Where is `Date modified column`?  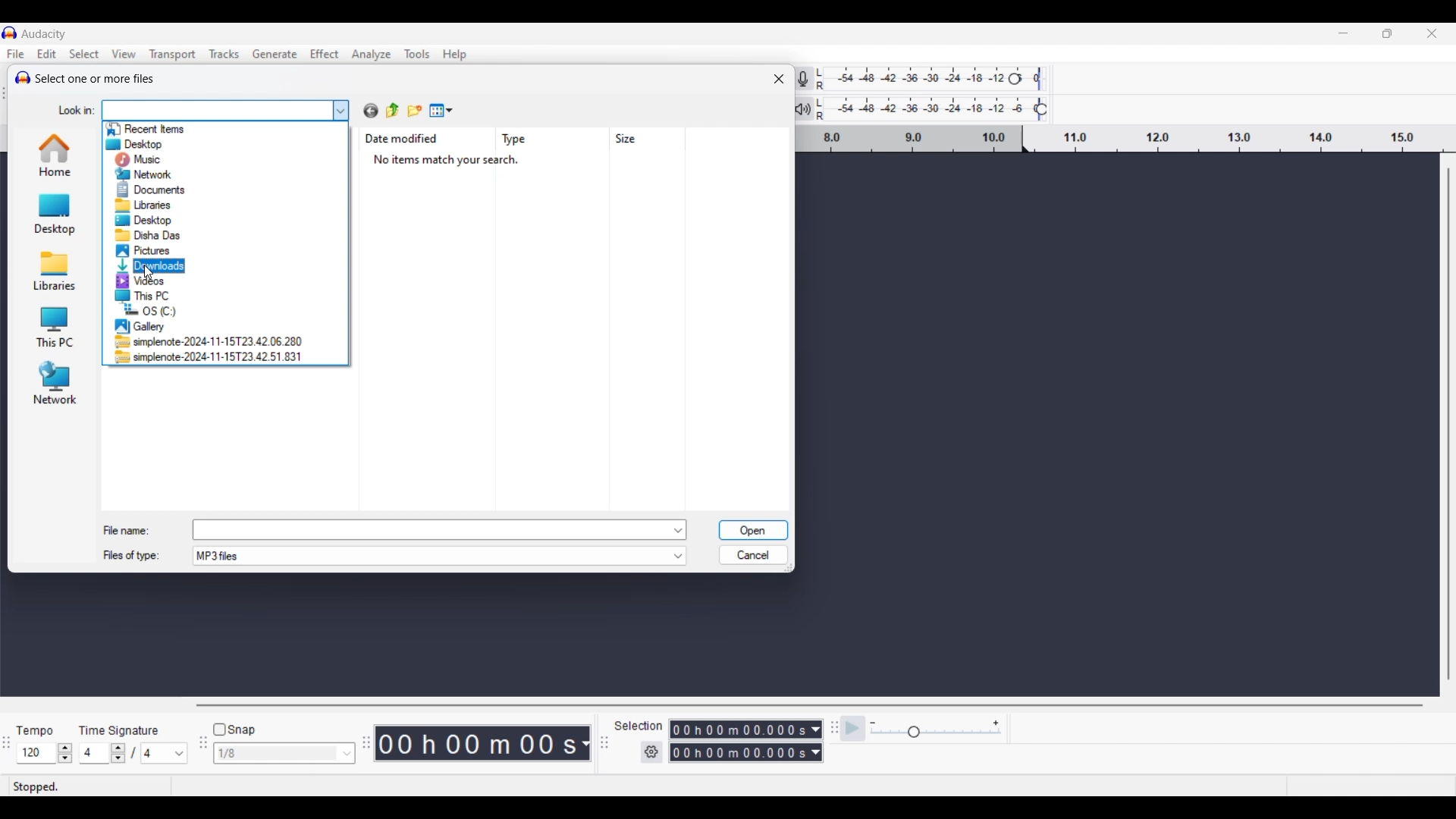 Date modified column is located at coordinates (405, 139).